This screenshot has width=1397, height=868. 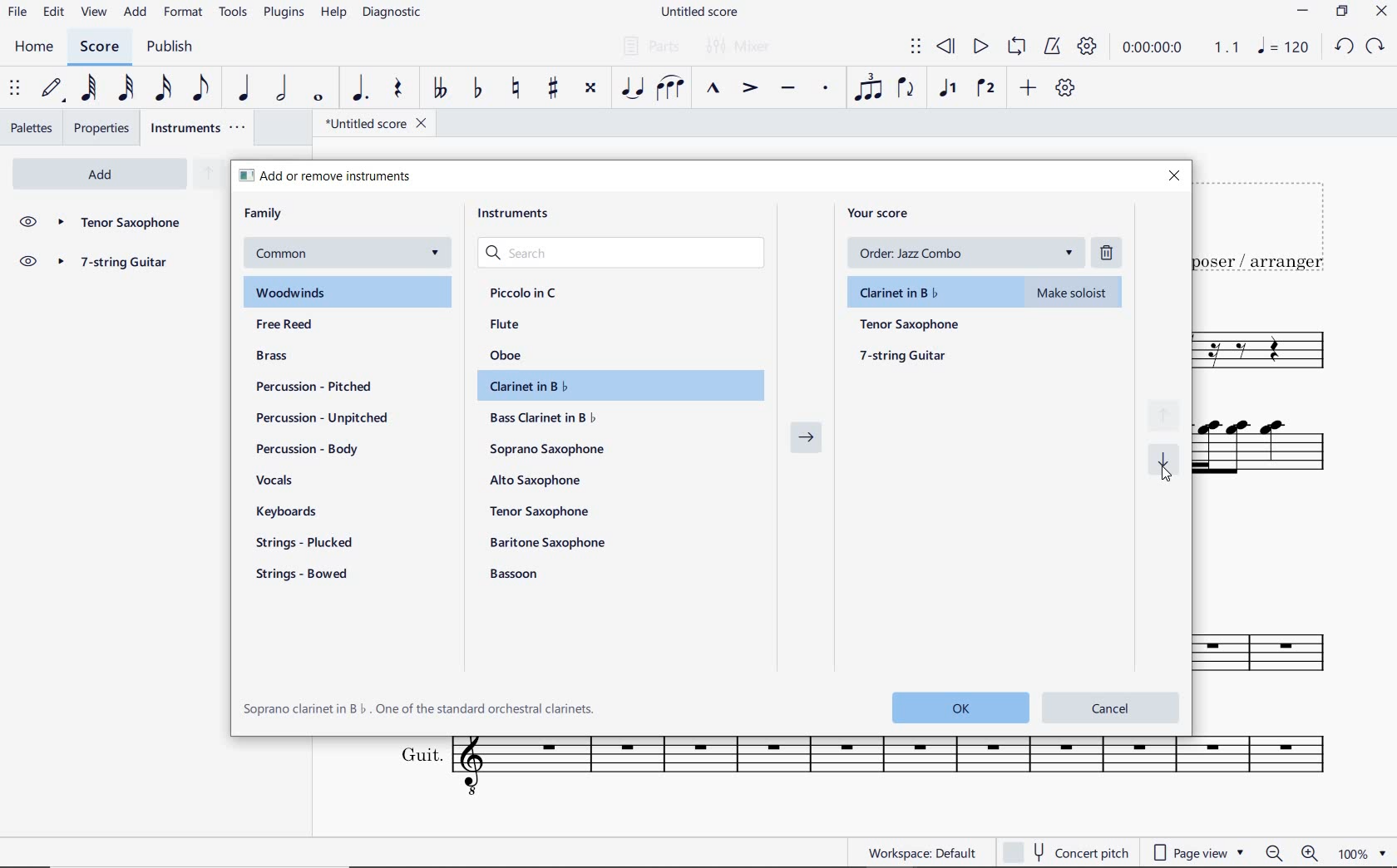 What do you see at coordinates (978, 47) in the screenshot?
I see `PLAY` at bounding box center [978, 47].